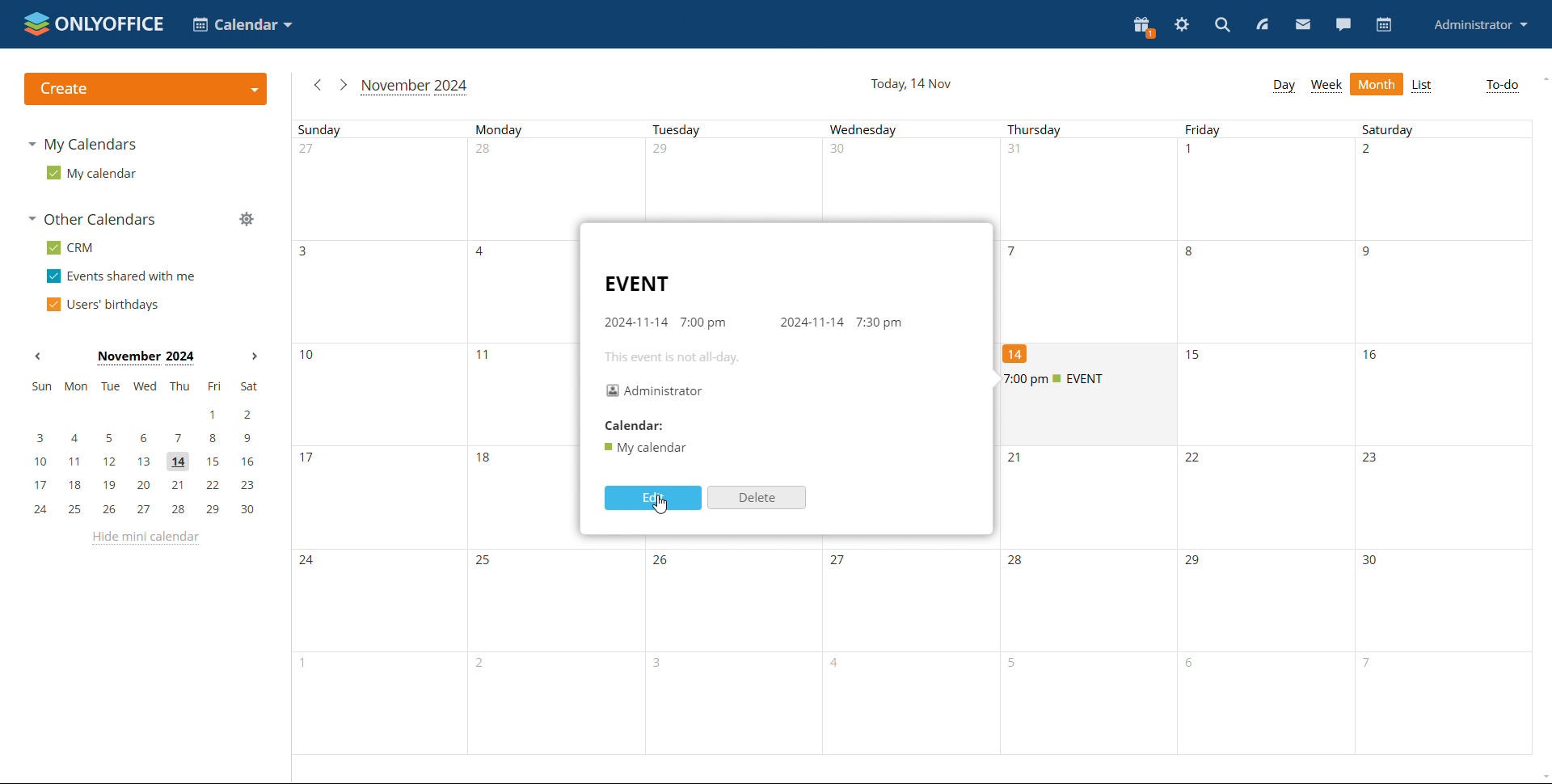  What do you see at coordinates (487, 358) in the screenshot?
I see `number` at bounding box center [487, 358].